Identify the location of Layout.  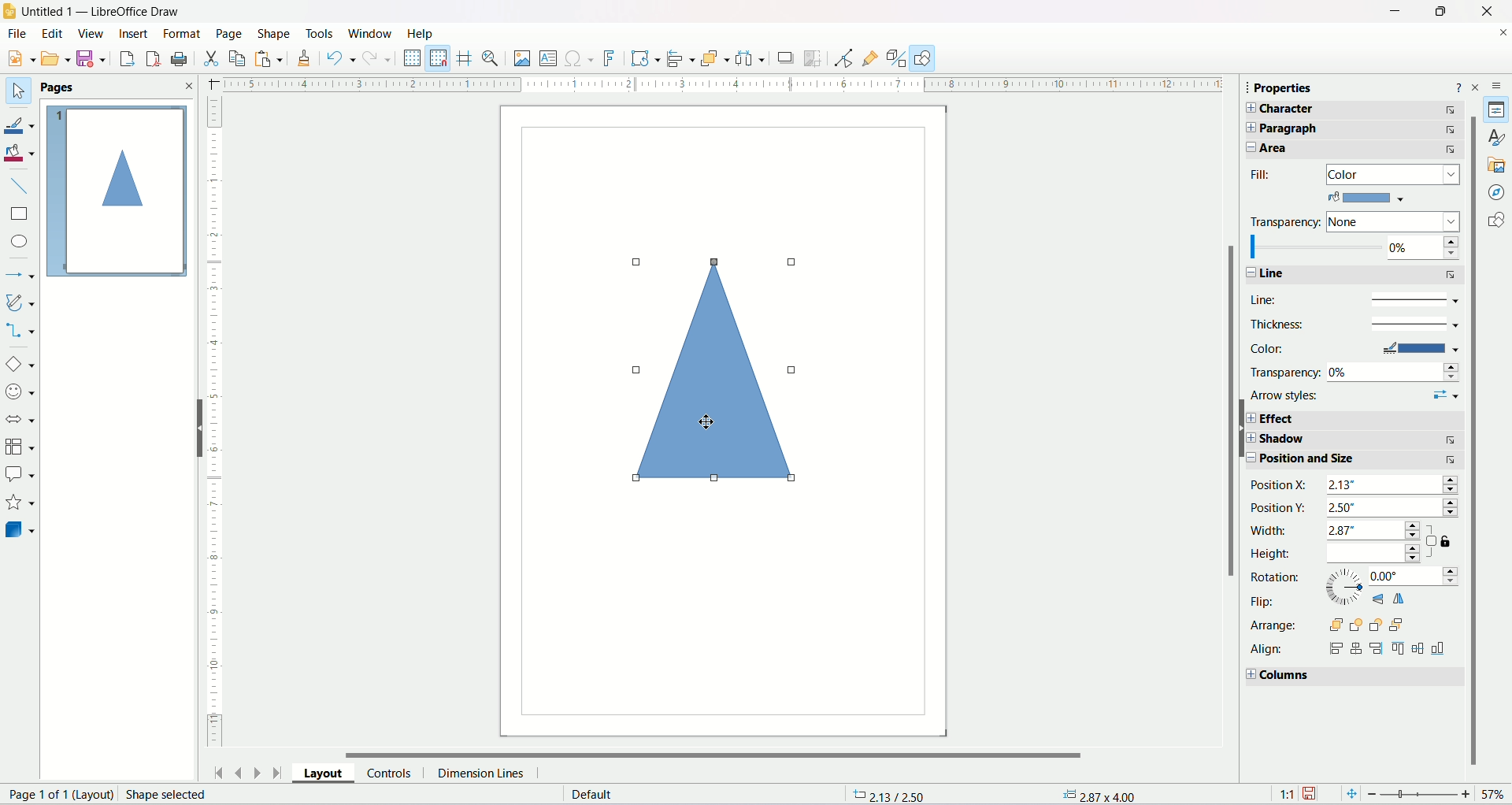
(322, 775).